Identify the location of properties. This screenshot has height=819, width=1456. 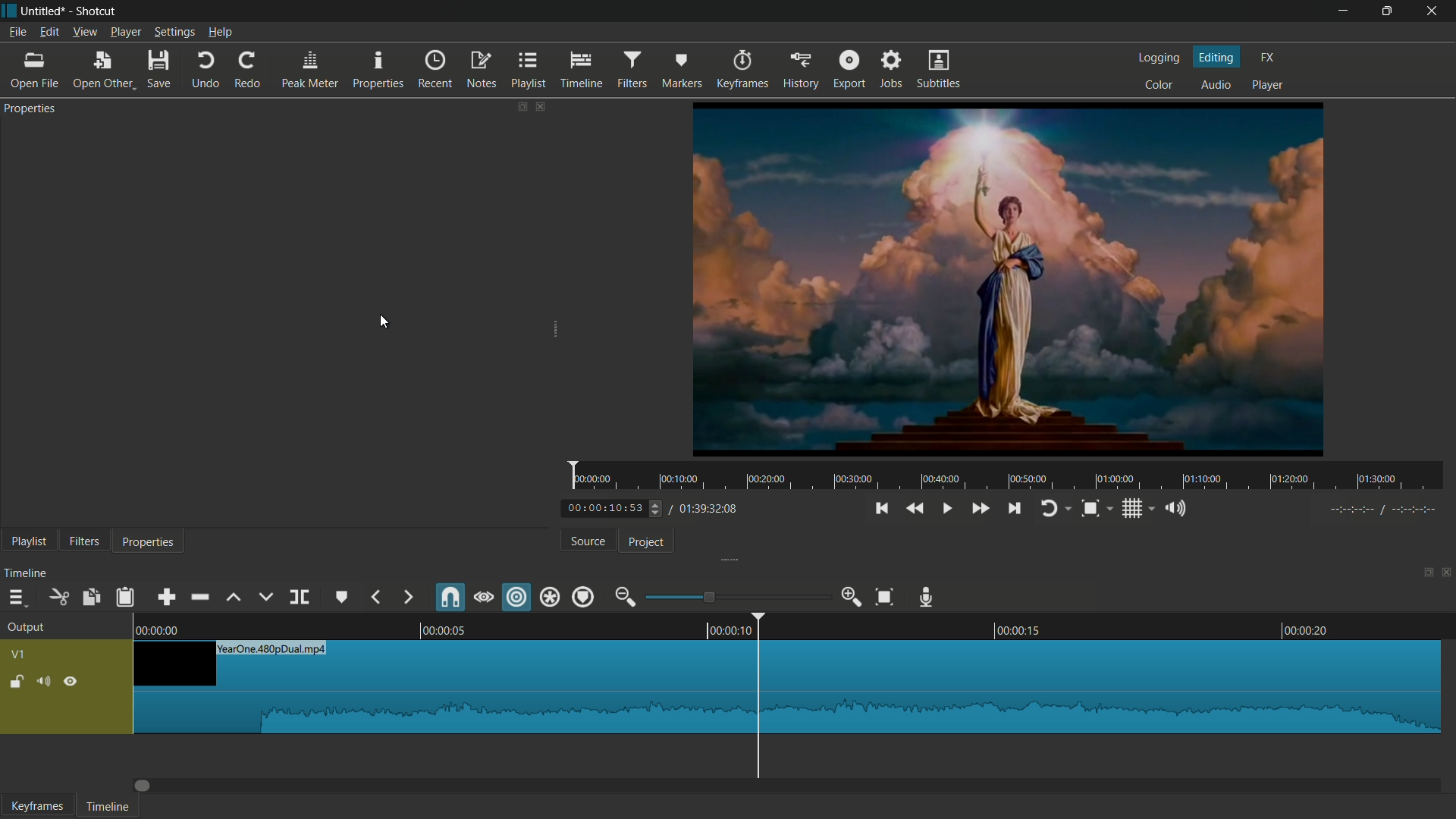
(30, 108).